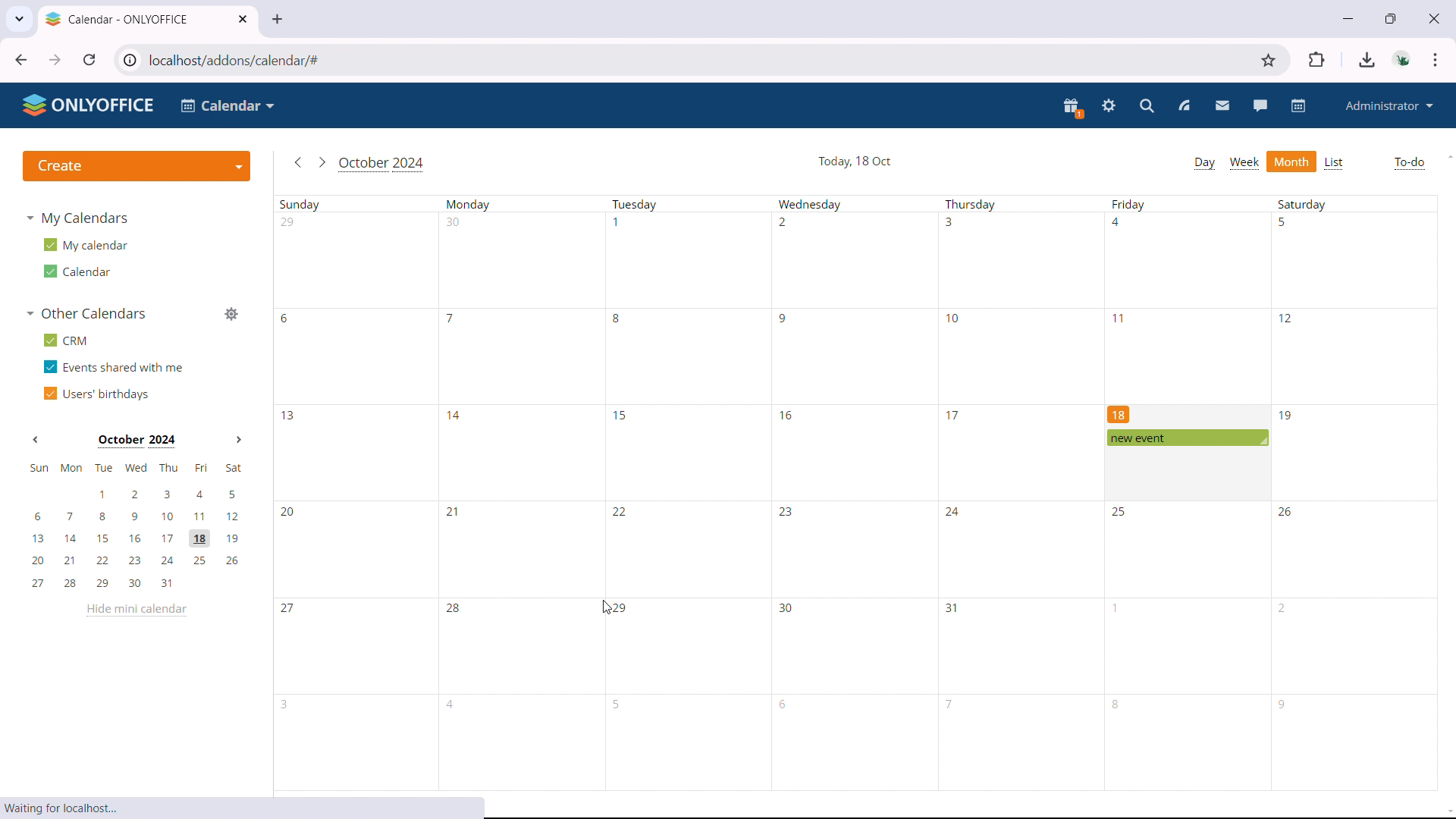 The width and height of the screenshot is (1456, 819). Describe the element at coordinates (1222, 106) in the screenshot. I see `mail` at that location.